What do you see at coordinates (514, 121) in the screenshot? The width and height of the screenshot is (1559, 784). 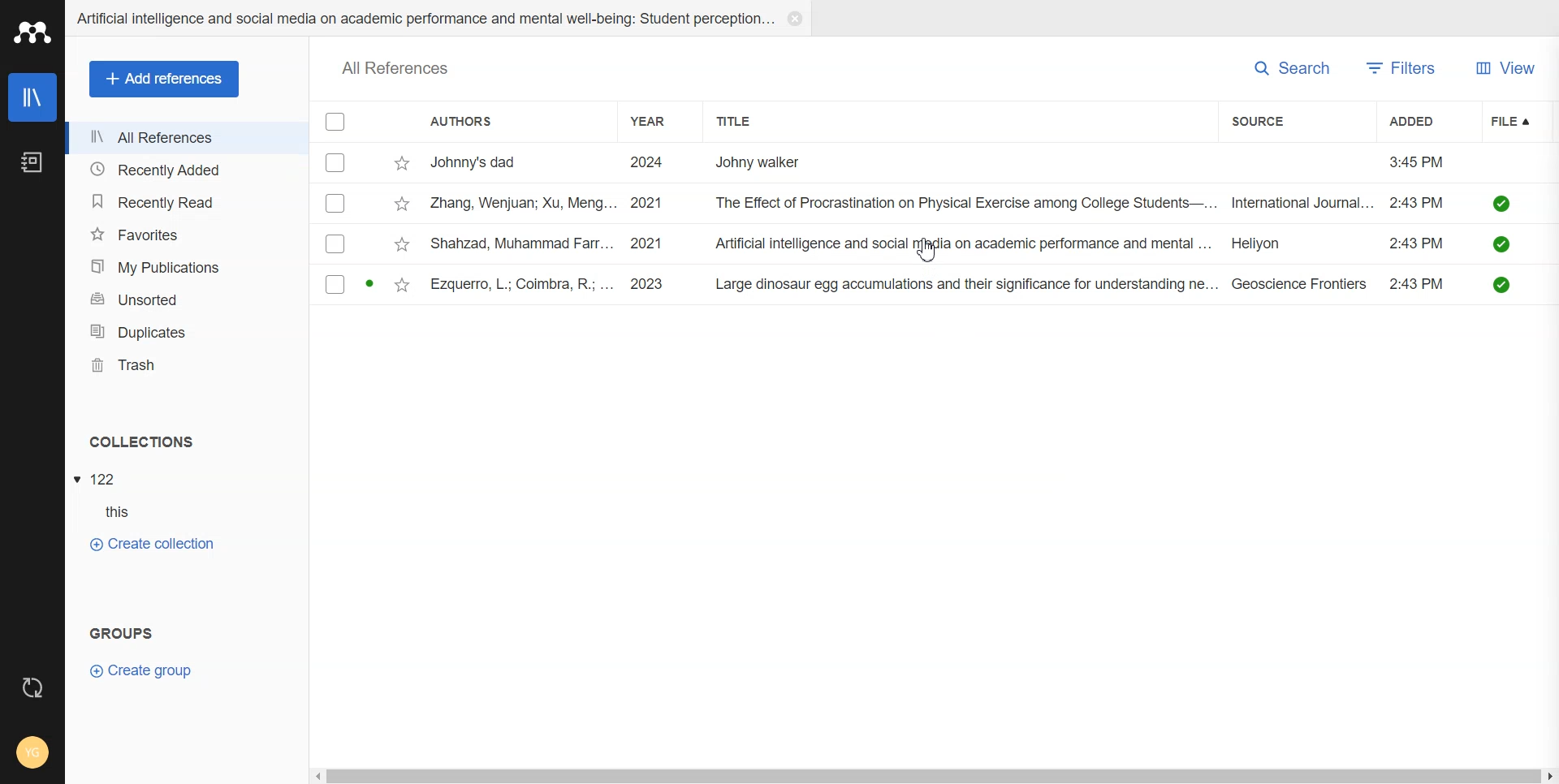 I see `Authors` at bounding box center [514, 121].